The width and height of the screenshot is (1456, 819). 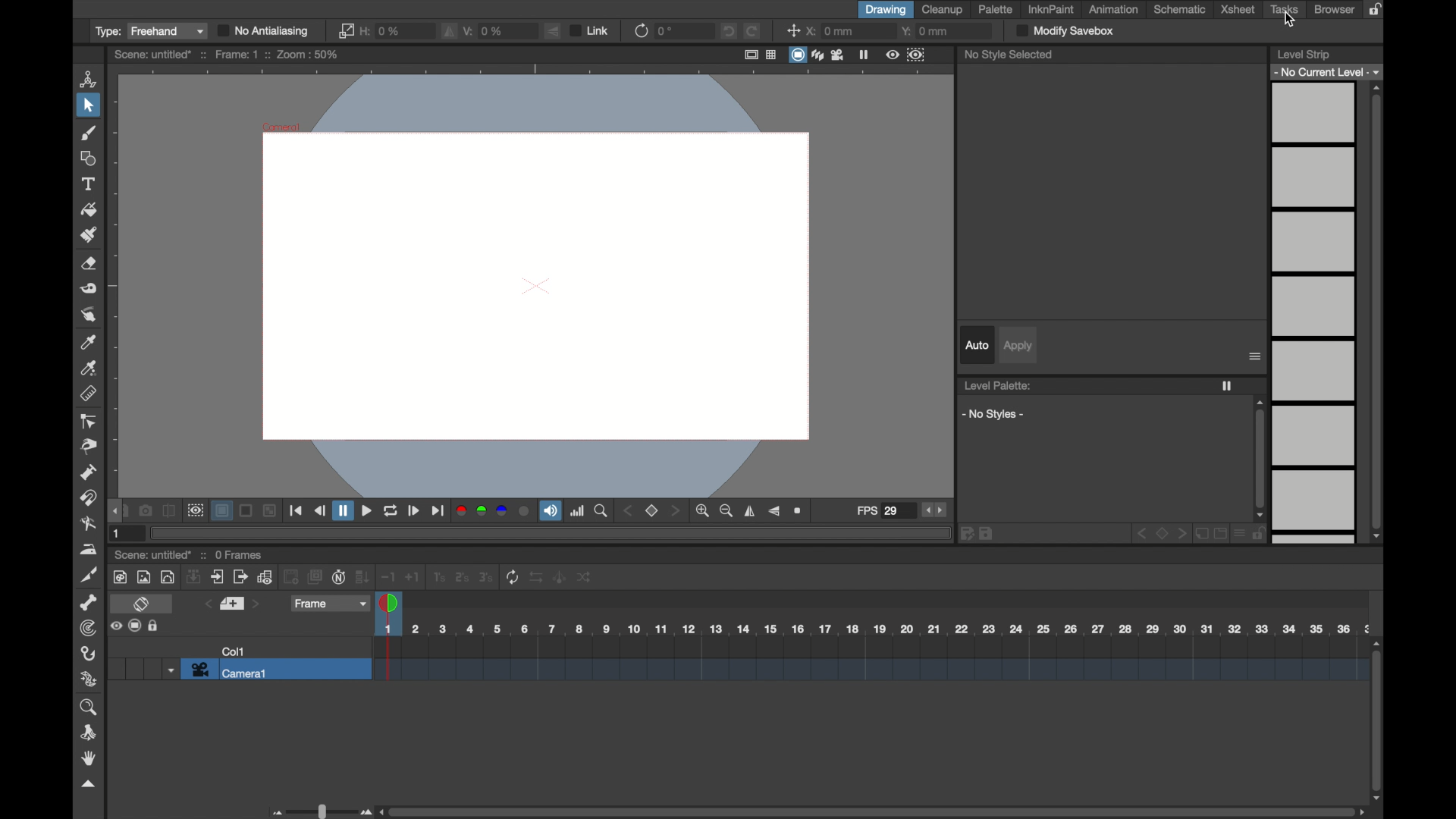 What do you see at coordinates (1255, 356) in the screenshot?
I see `more options` at bounding box center [1255, 356].